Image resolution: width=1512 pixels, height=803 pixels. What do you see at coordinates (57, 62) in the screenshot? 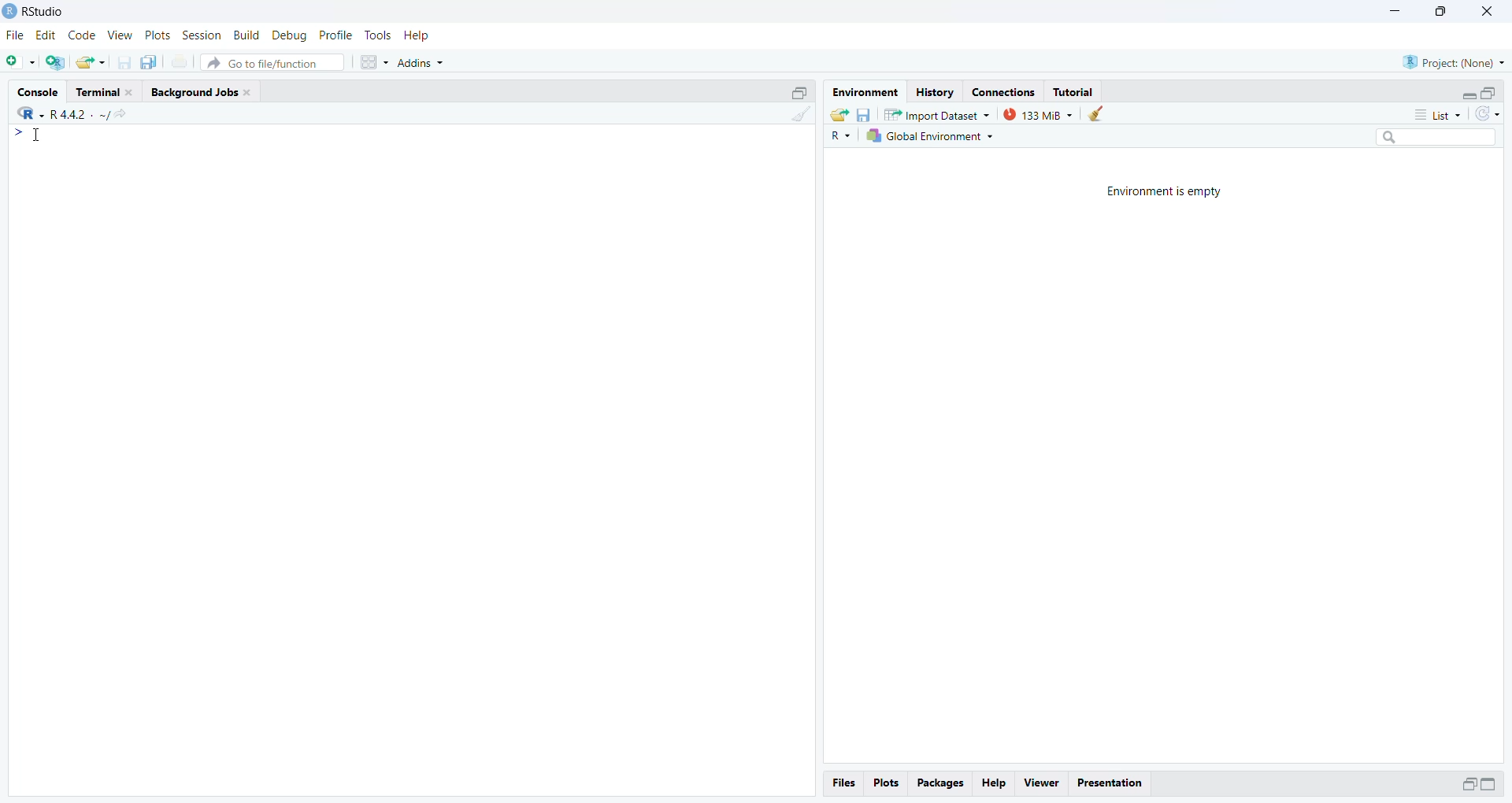
I see `Create a Project` at bounding box center [57, 62].